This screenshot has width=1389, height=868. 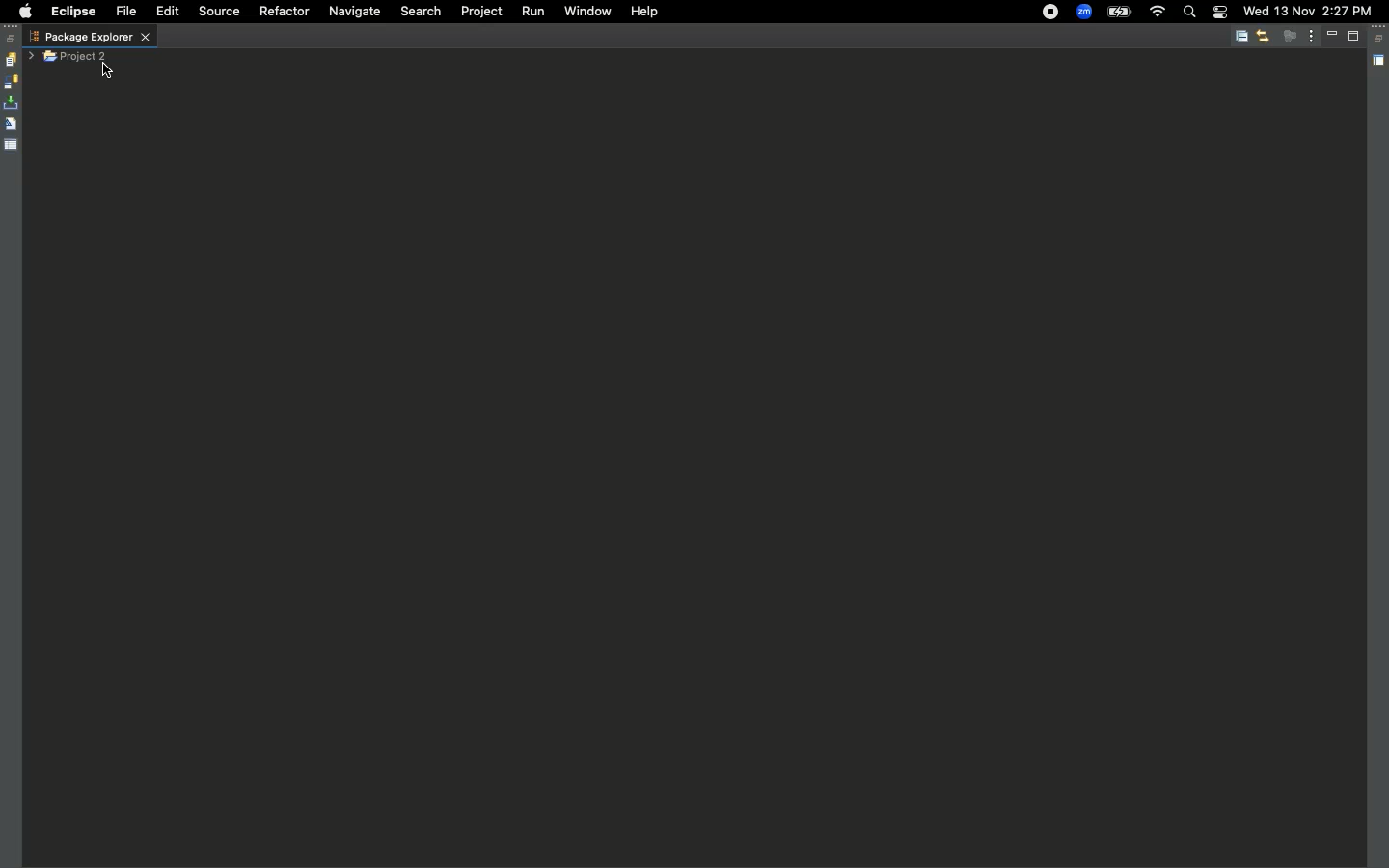 I want to click on Source, so click(x=216, y=12).